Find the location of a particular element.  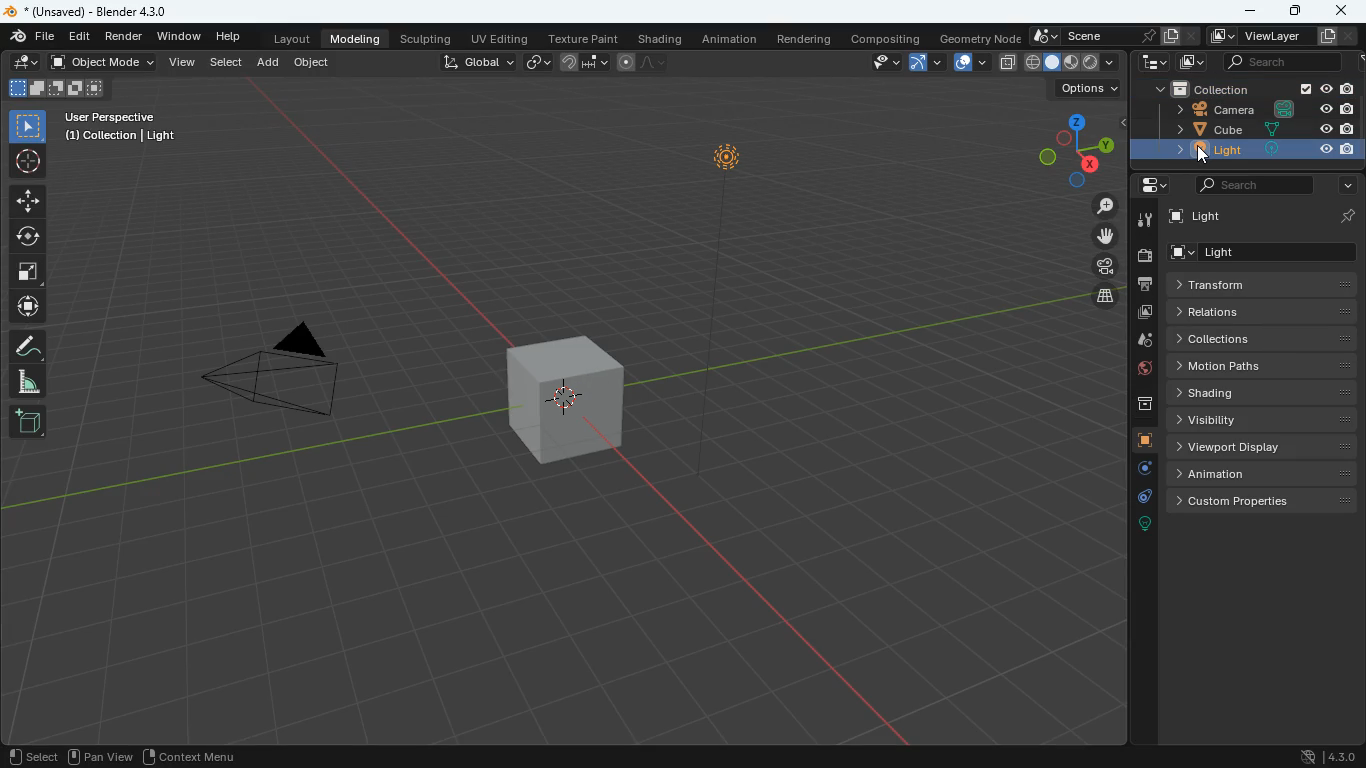

User Perspective (1) Collection is located at coordinates (119, 126).